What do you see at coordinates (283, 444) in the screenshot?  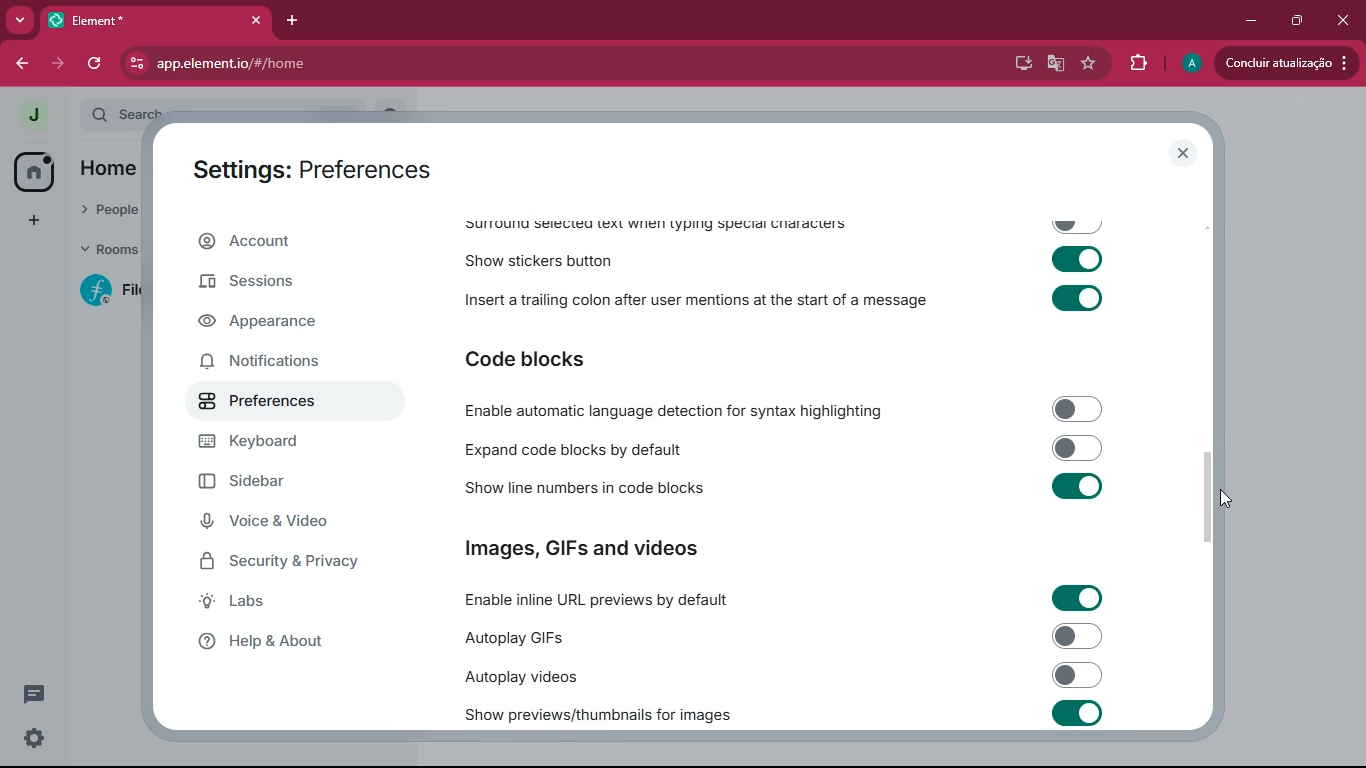 I see `keyboard ` at bounding box center [283, 444].